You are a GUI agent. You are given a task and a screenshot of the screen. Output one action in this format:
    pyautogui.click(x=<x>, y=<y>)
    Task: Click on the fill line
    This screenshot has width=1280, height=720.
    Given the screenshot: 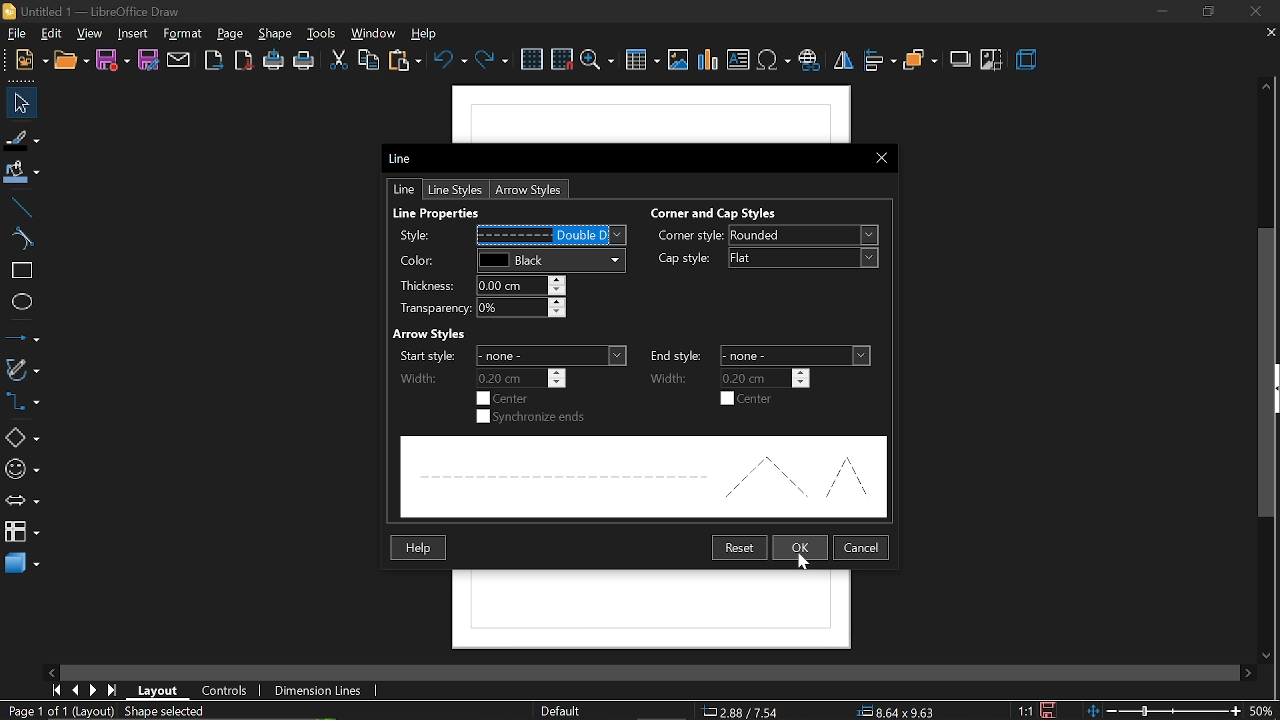 What is the action you would take?
    pyautogui.click(x=21, y=137)
    